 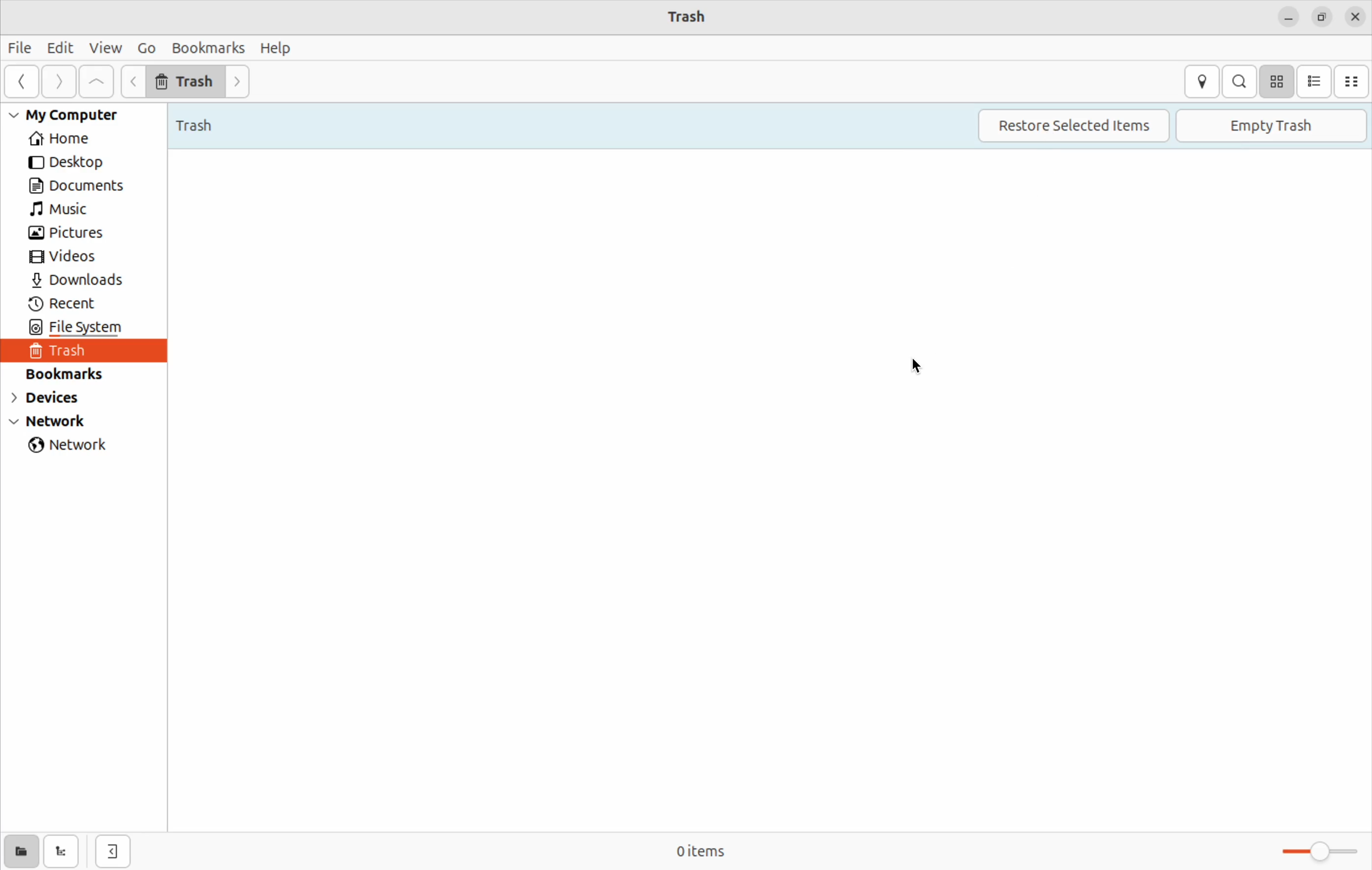 I want to click on music, so click(x=72, y=210).